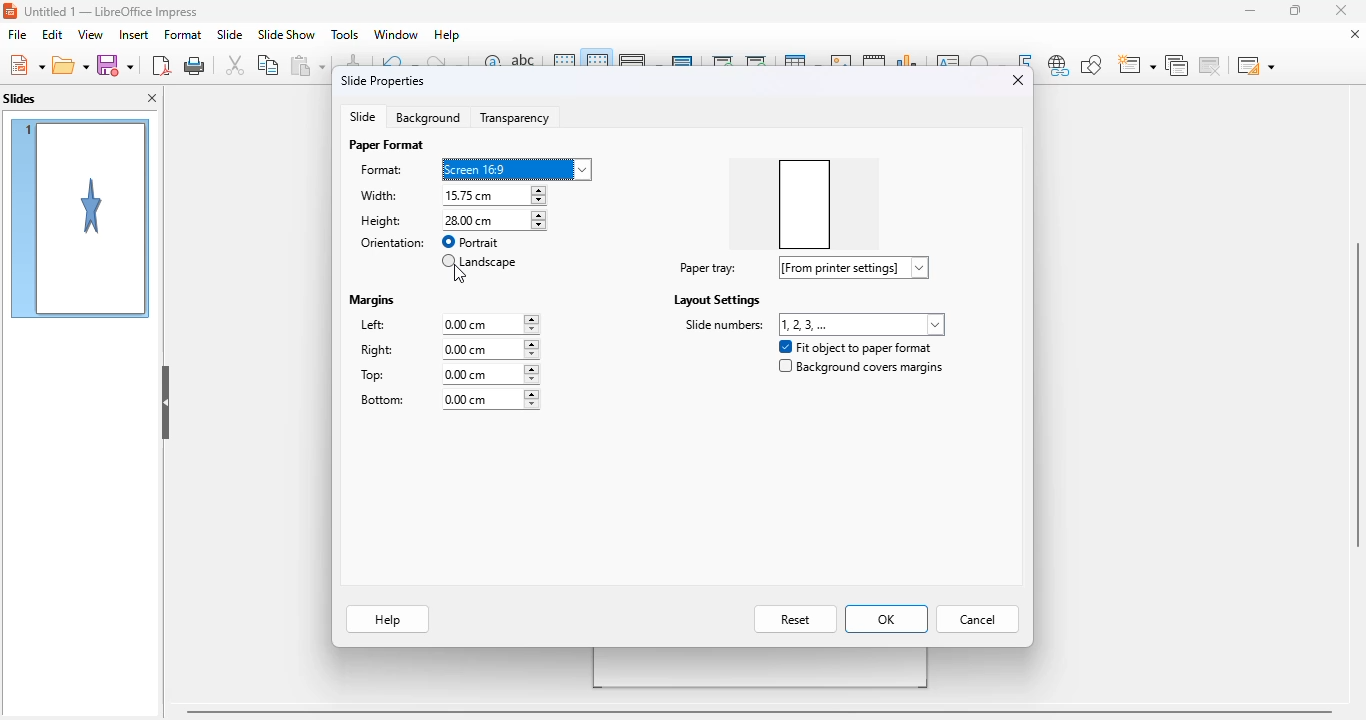  What do you see at coordinates (383, 170) in the screenshot?
I see `format` at bounding box center [383, 170].